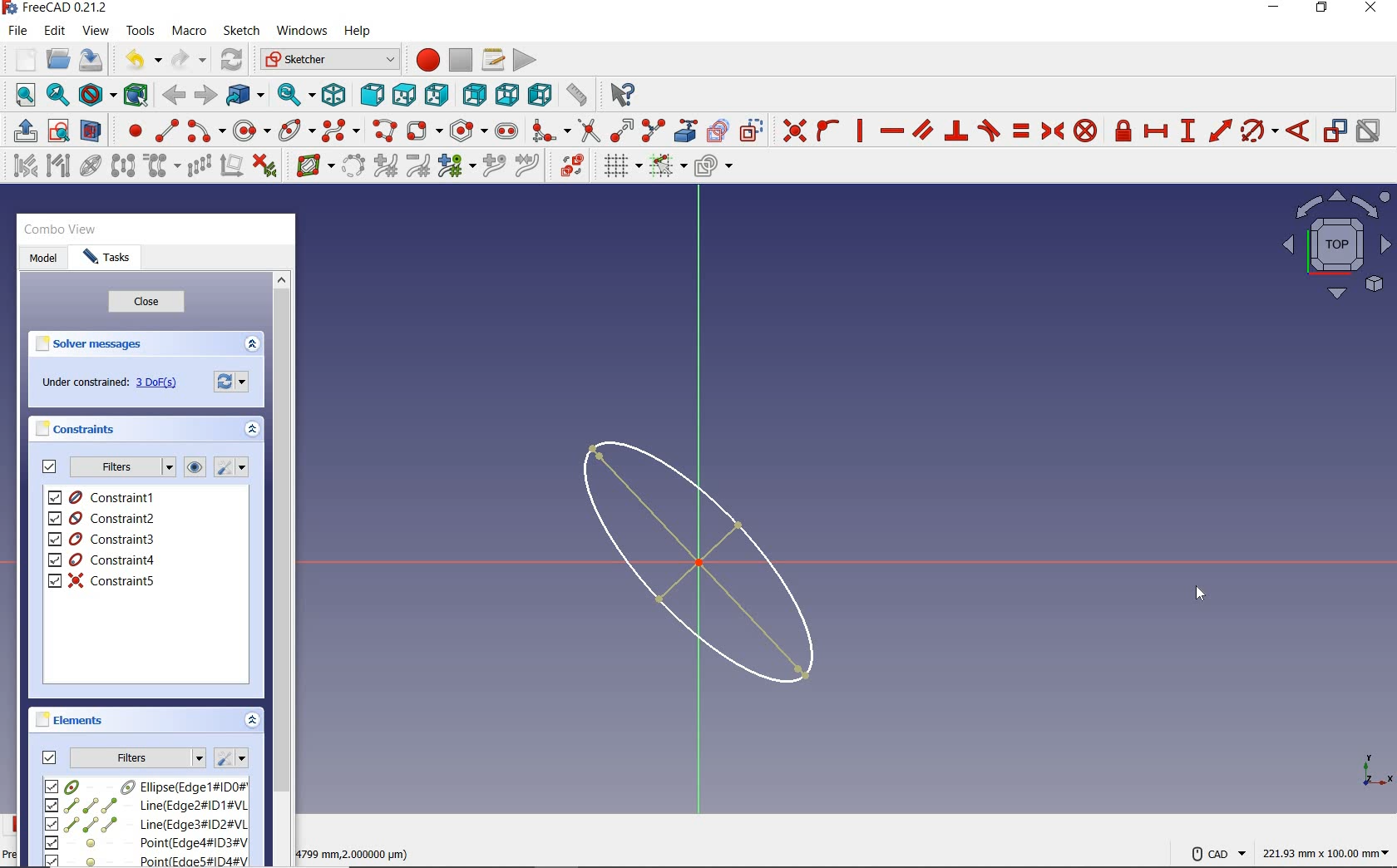 The height and width of the screenshot is (868, 1397). What do you see at coordinates (230, 167) in the screenshot?
I see `remove axes alignment` at bounding box center [230, 167].